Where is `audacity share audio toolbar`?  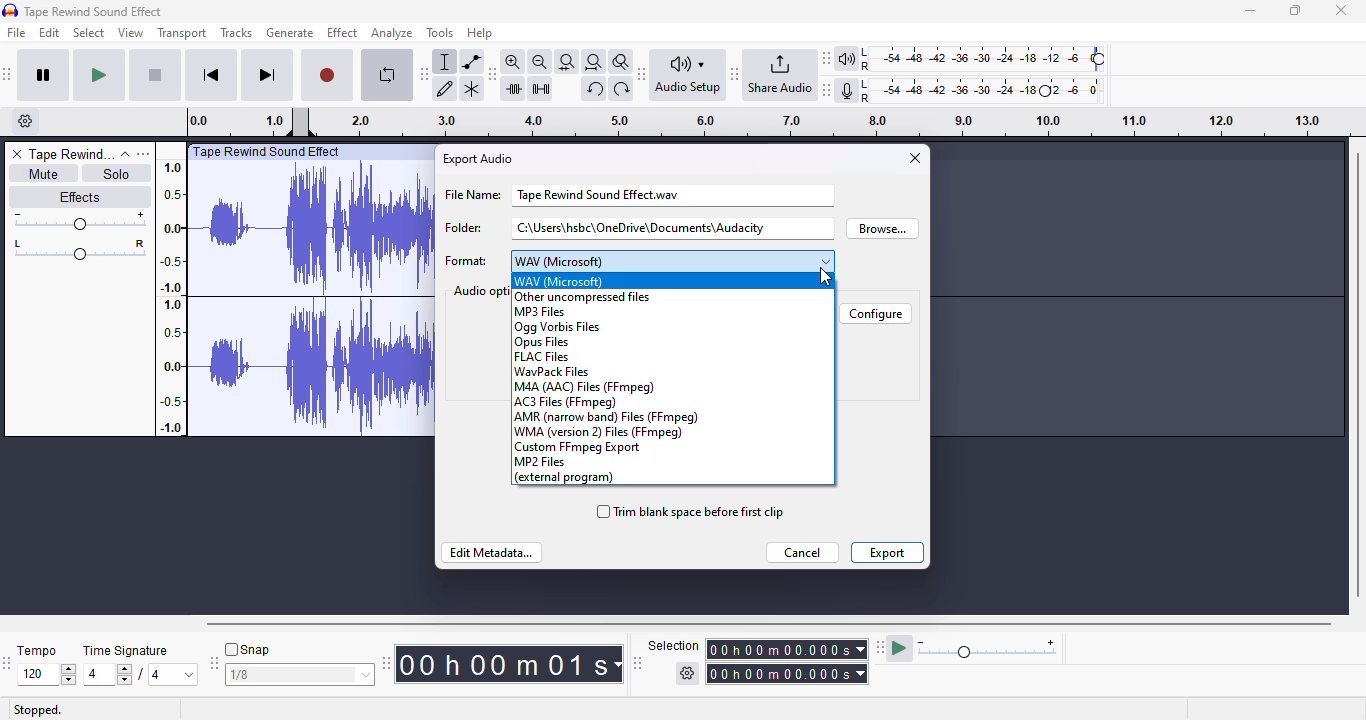
audacity share audio toolbar is located at coordinates (774, 76).